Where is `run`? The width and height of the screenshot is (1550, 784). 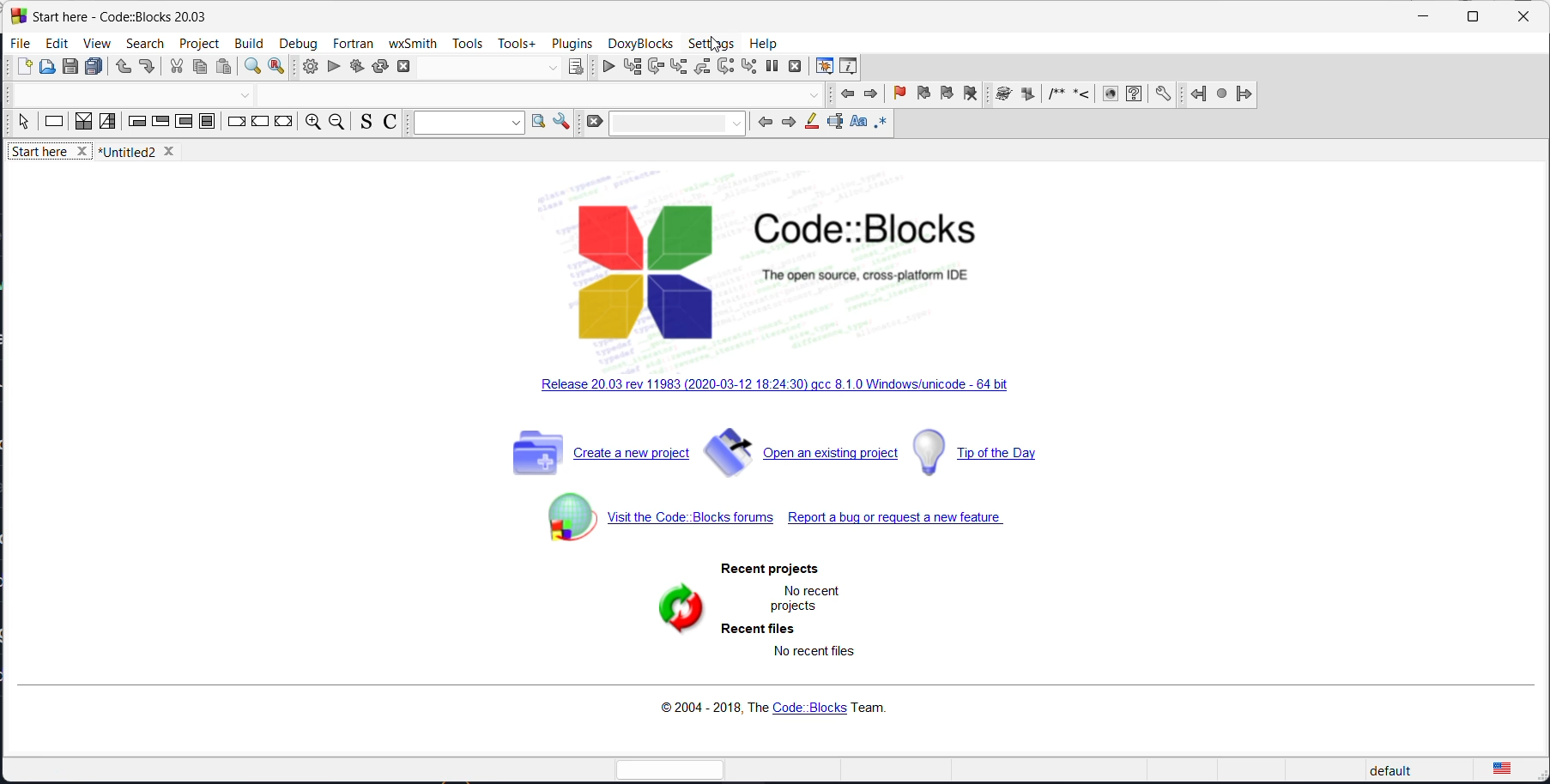 run is located at coordinates (334, 67).